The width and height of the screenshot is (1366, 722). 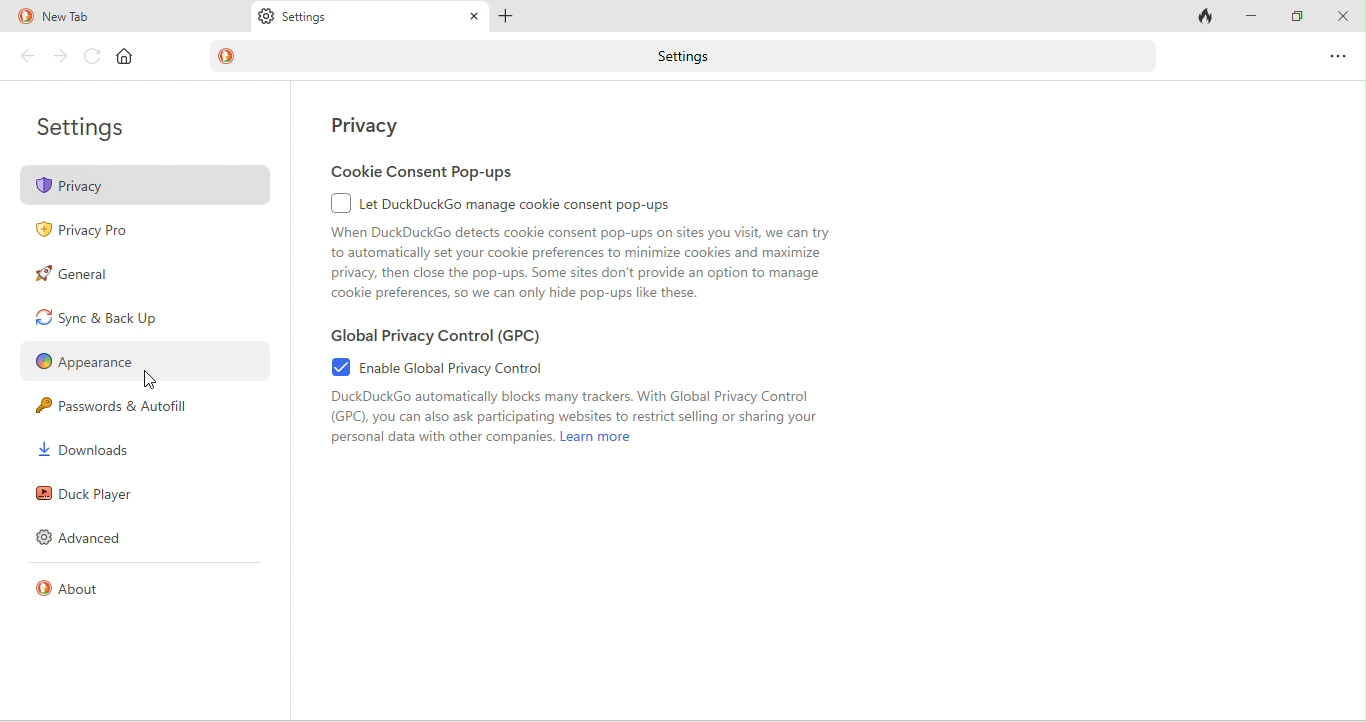 What do you see at coordinates (1253, 15) in the screenshot?
I see `minimize` at bounding box center [1253, 15].